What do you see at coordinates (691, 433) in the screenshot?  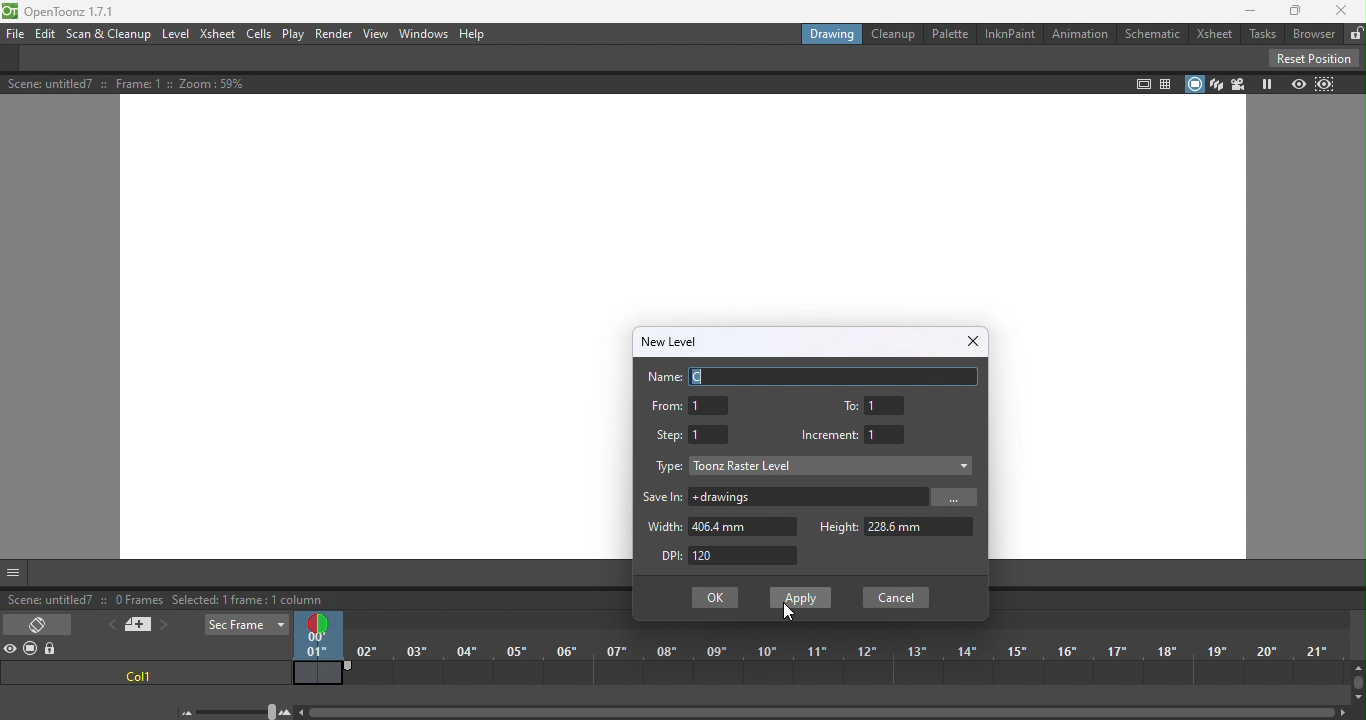 I see `Step` at bounding box center [691, 433].